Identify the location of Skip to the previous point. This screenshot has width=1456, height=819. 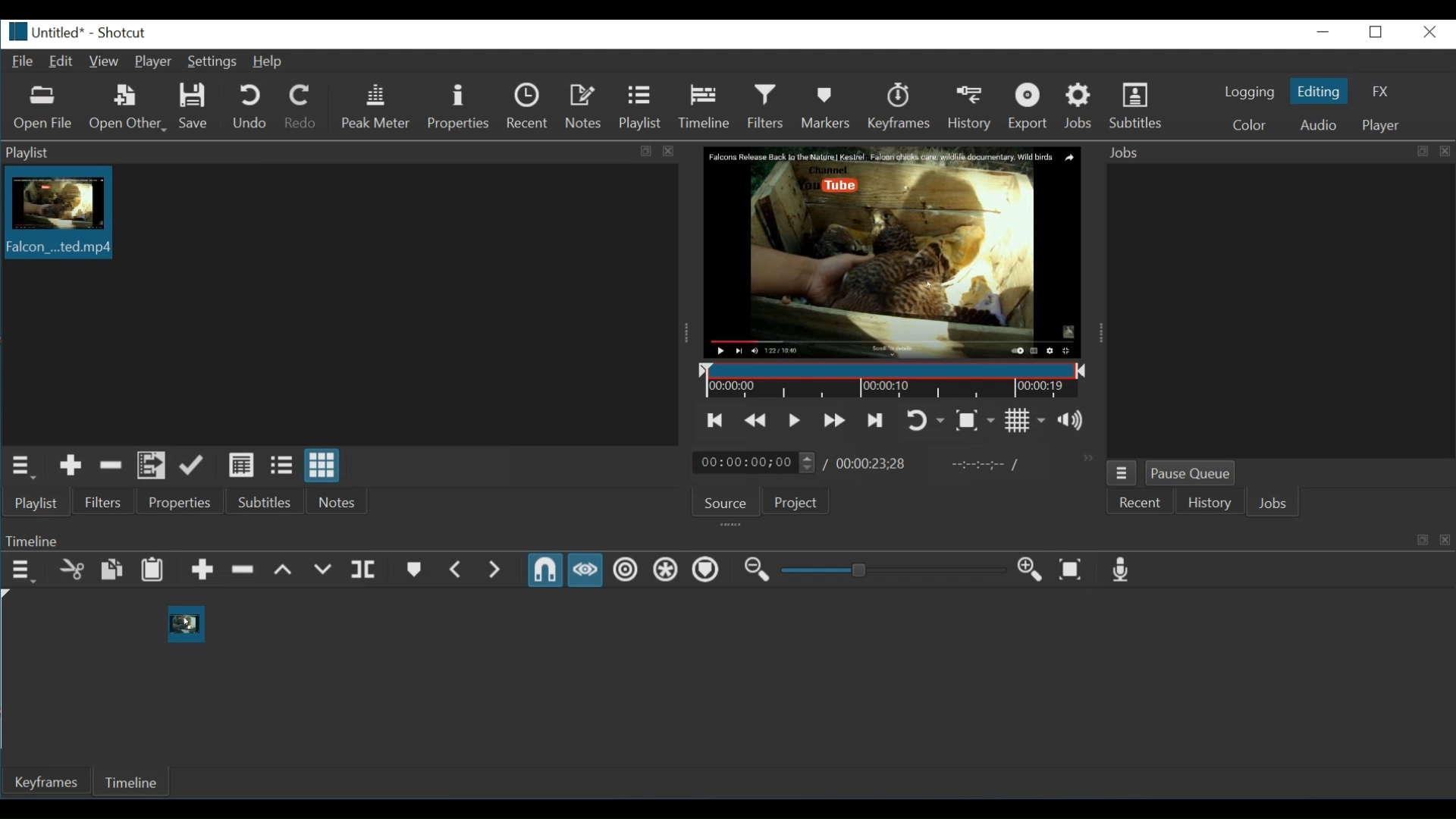
(716, 421).